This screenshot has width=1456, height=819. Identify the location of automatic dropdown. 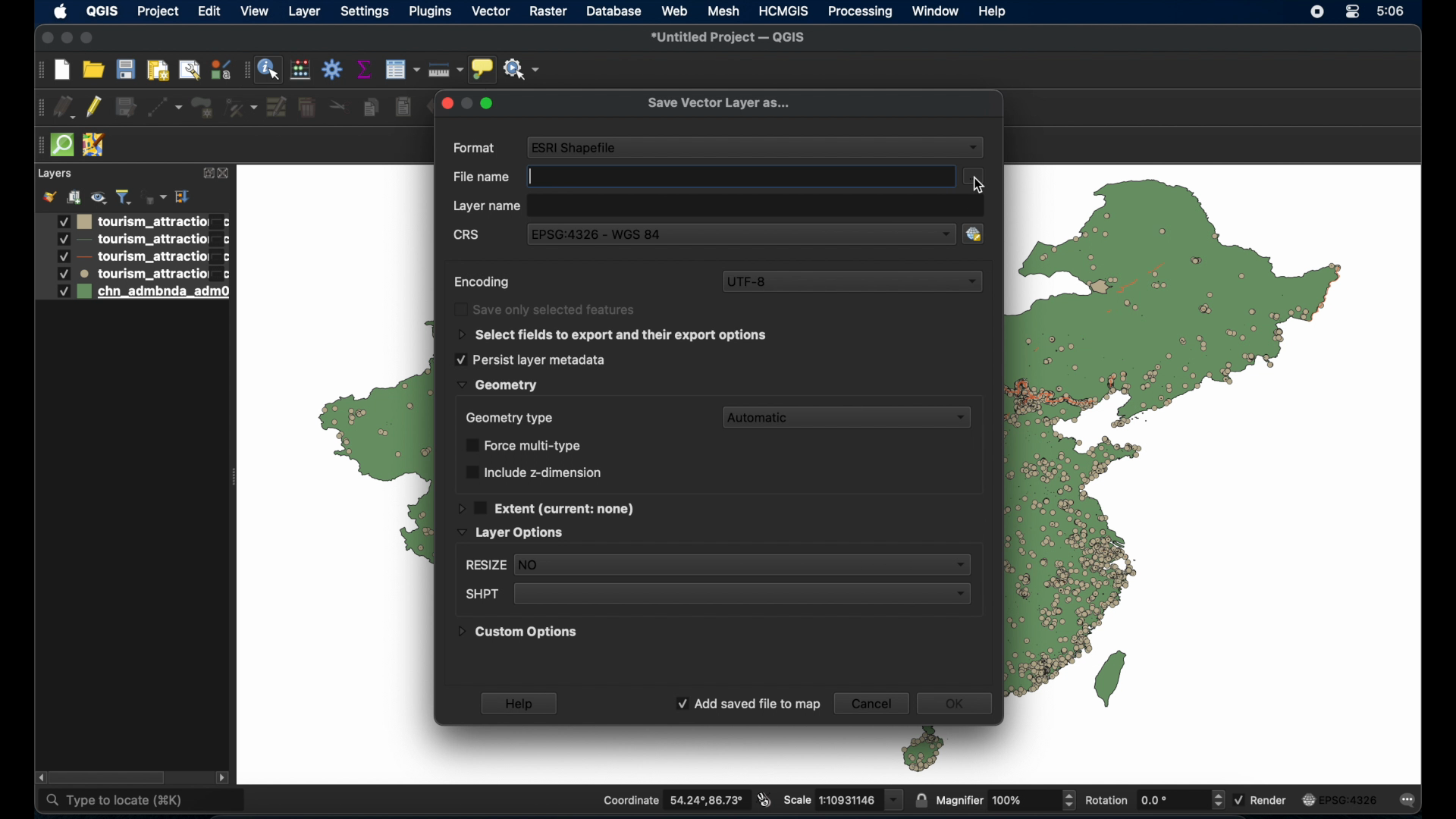
(851, 417).